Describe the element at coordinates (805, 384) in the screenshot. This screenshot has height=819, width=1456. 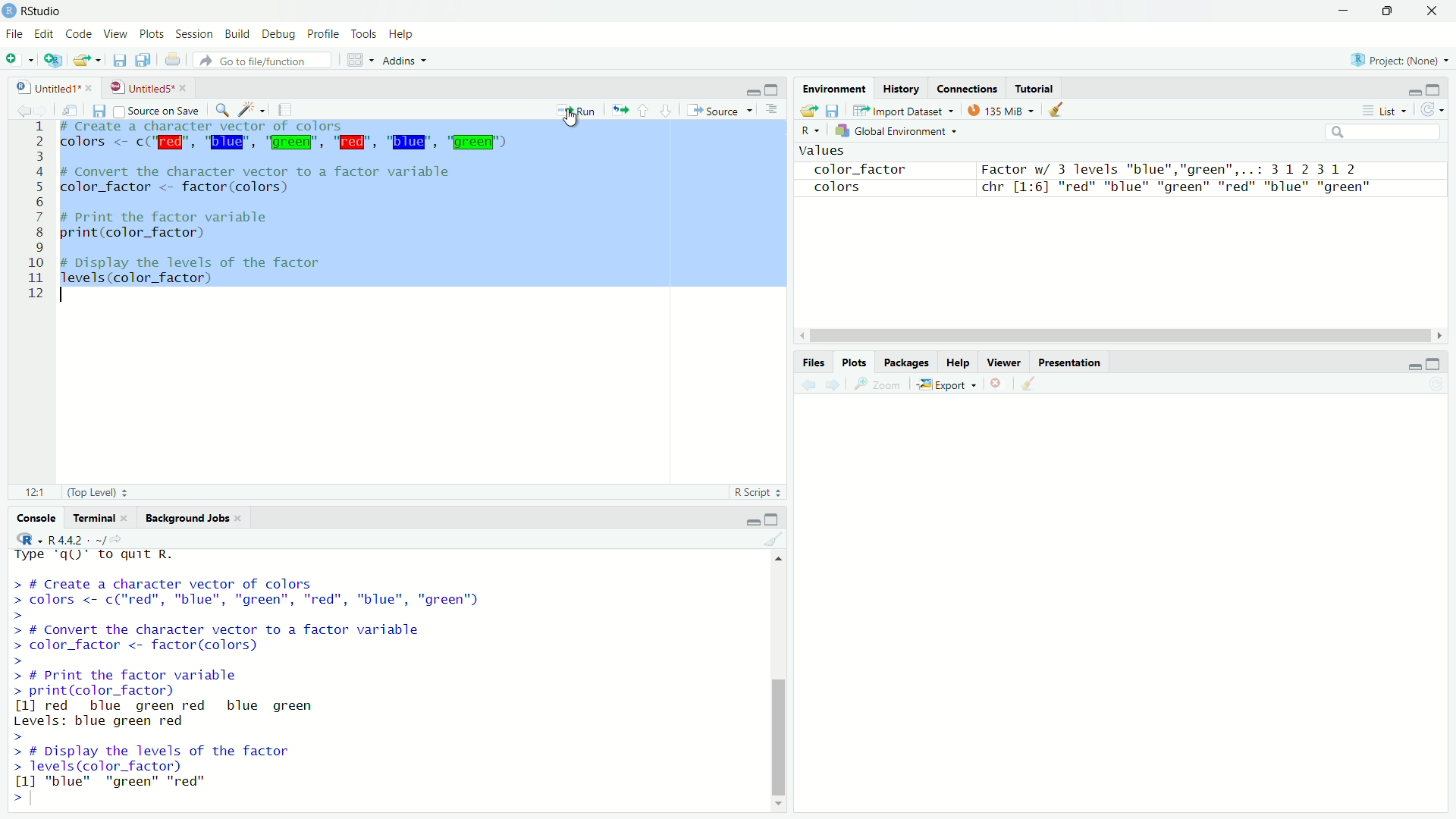
I see `previous plot` at that location.